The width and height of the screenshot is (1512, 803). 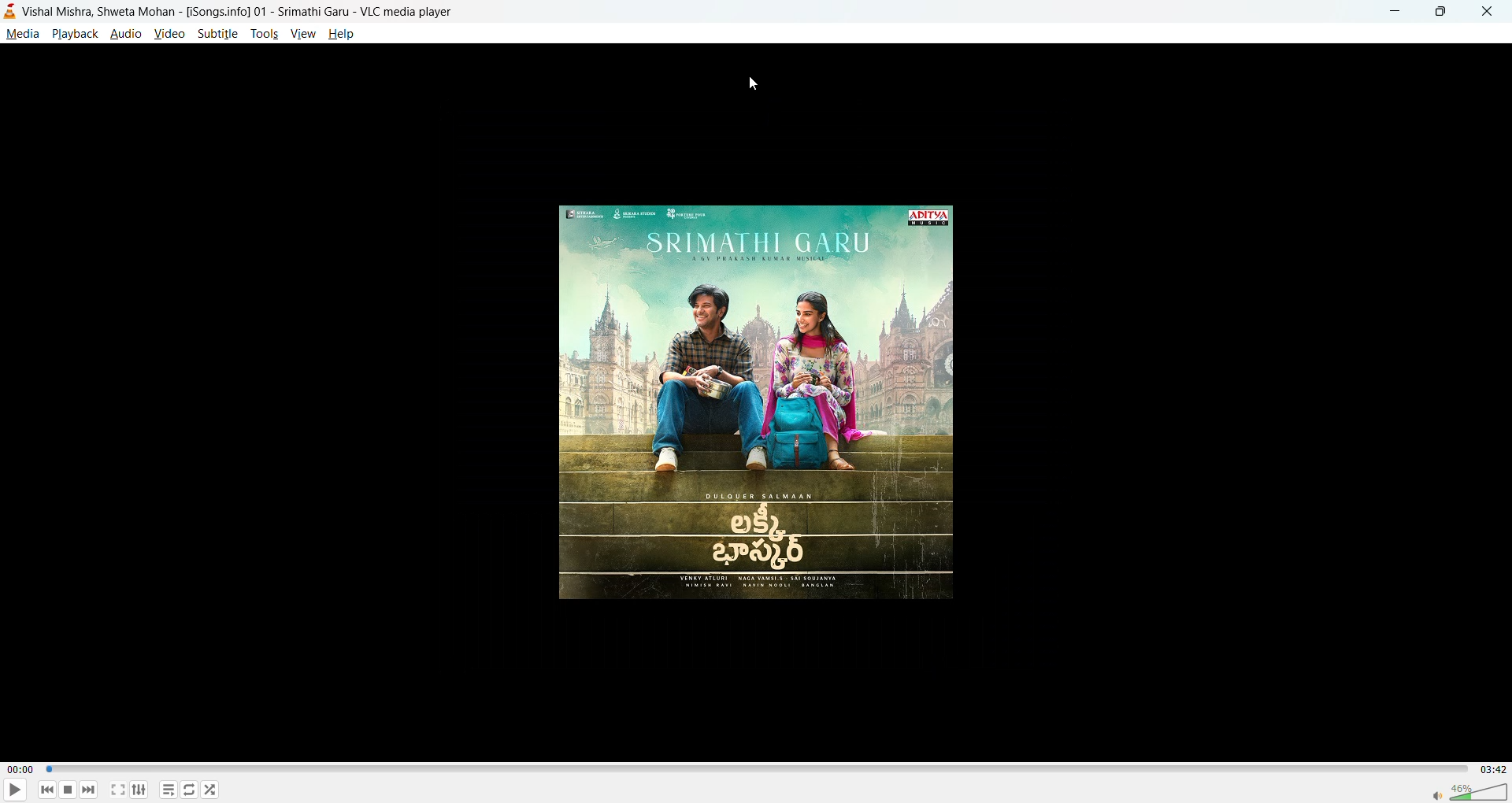 I want to click on media, so click(x=22, y=34).